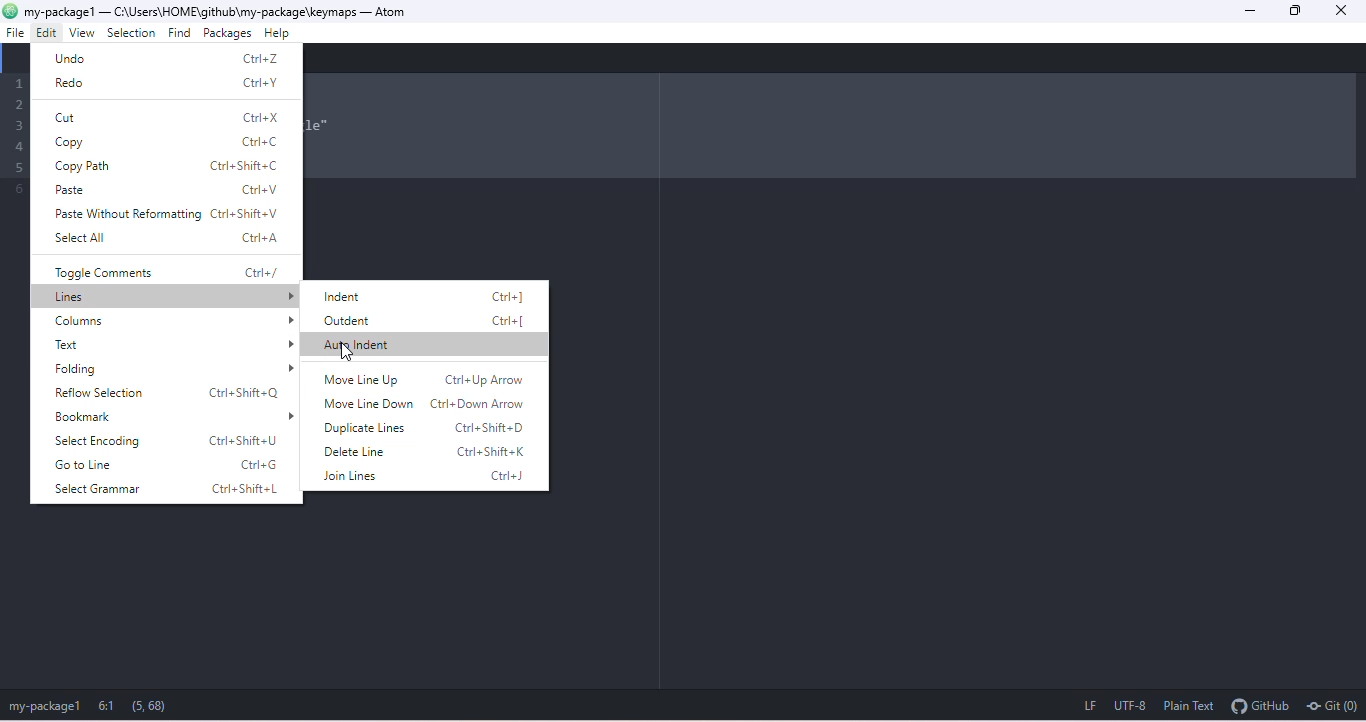 The width and height of the screenshot is (1366, 722). What do you see at coordinates (166, 85) in the screenshot?
I see `redo` at bounding box center [166, 85].